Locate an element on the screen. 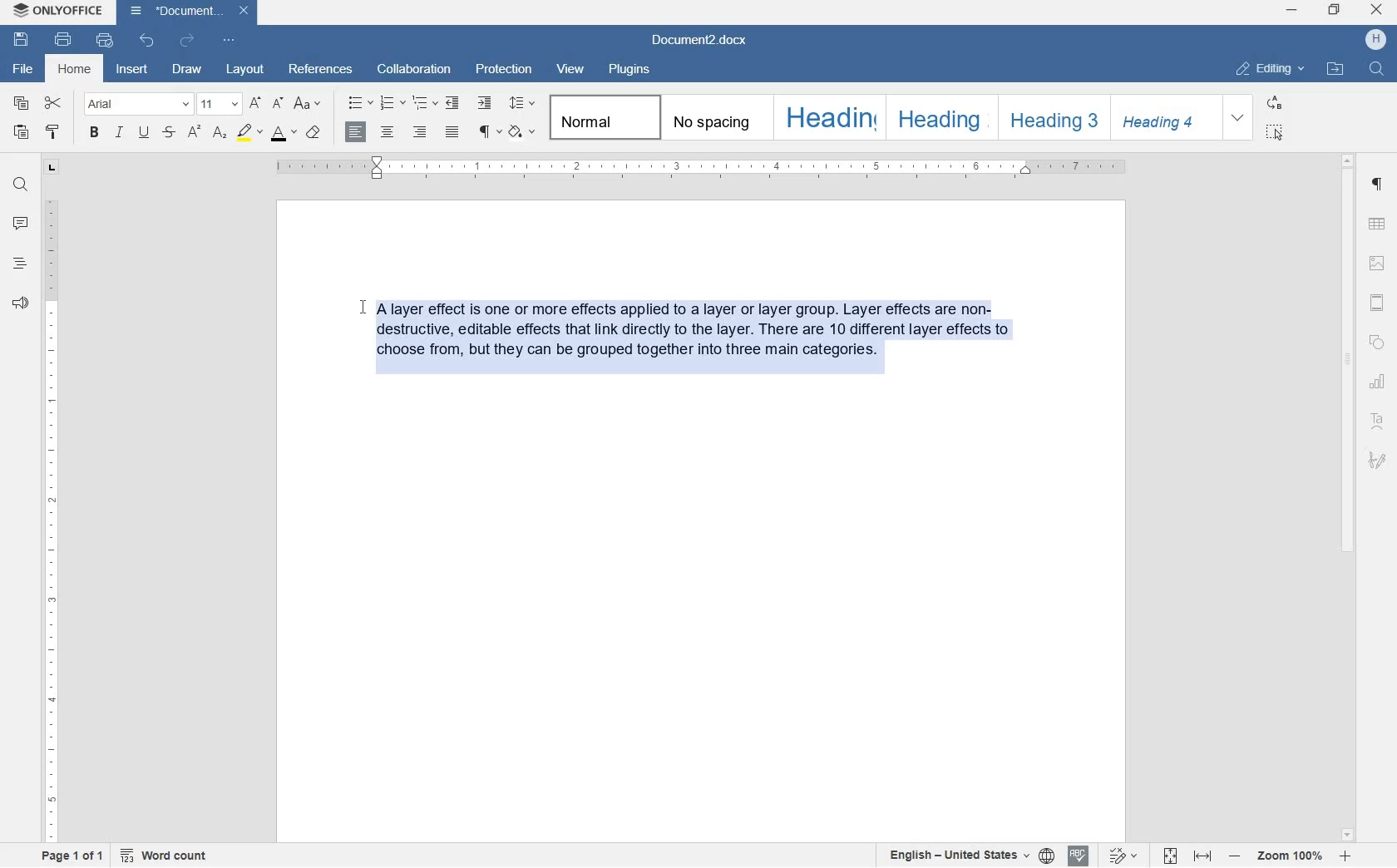 This screenshot has width=1397, height=868. table is located at coordinates (1378, 224).